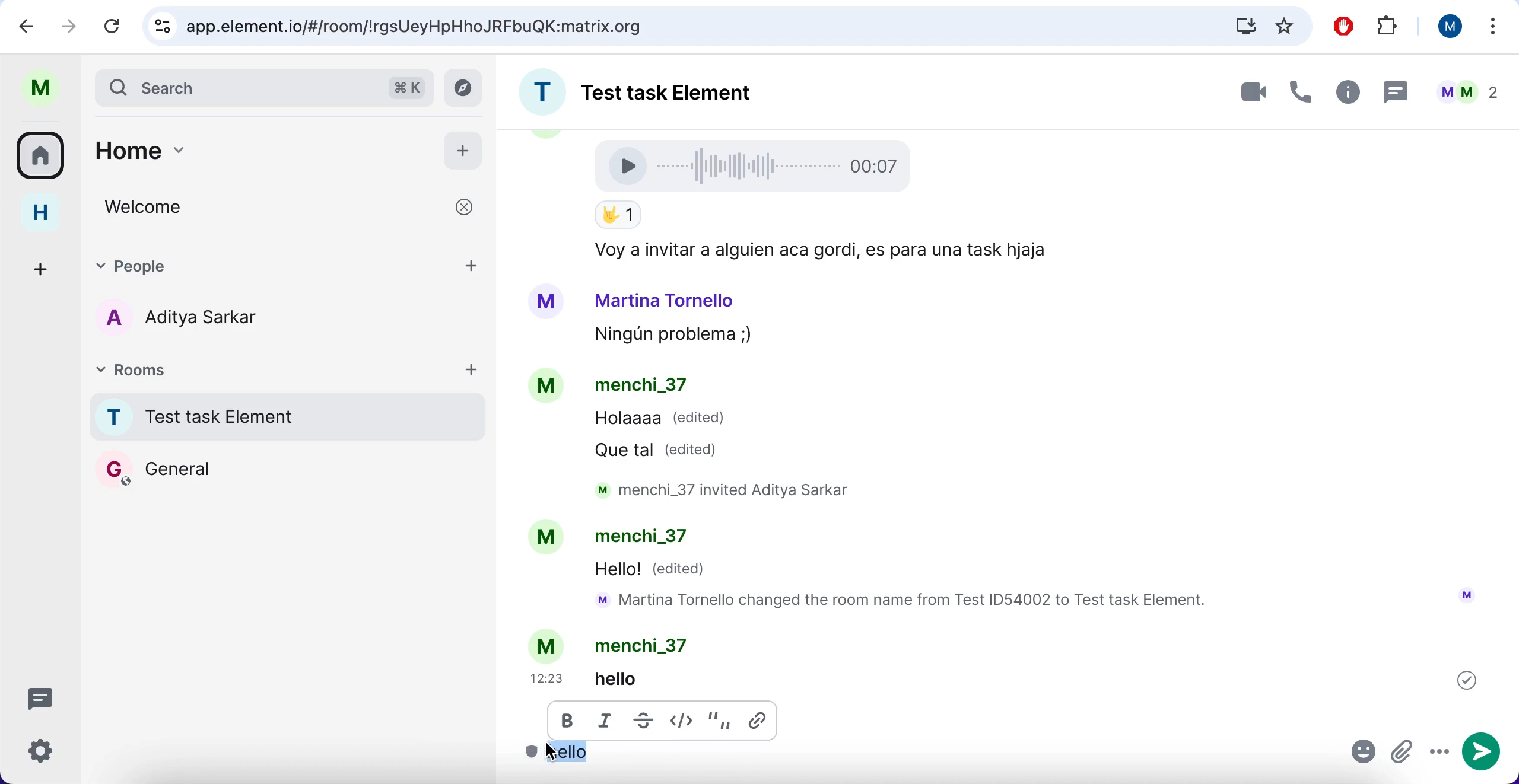 The height and width of the screenshot is (784, 1519). Describe the element at coordinates (671, 27) in the screenshot. I see `google search bar` at that location.